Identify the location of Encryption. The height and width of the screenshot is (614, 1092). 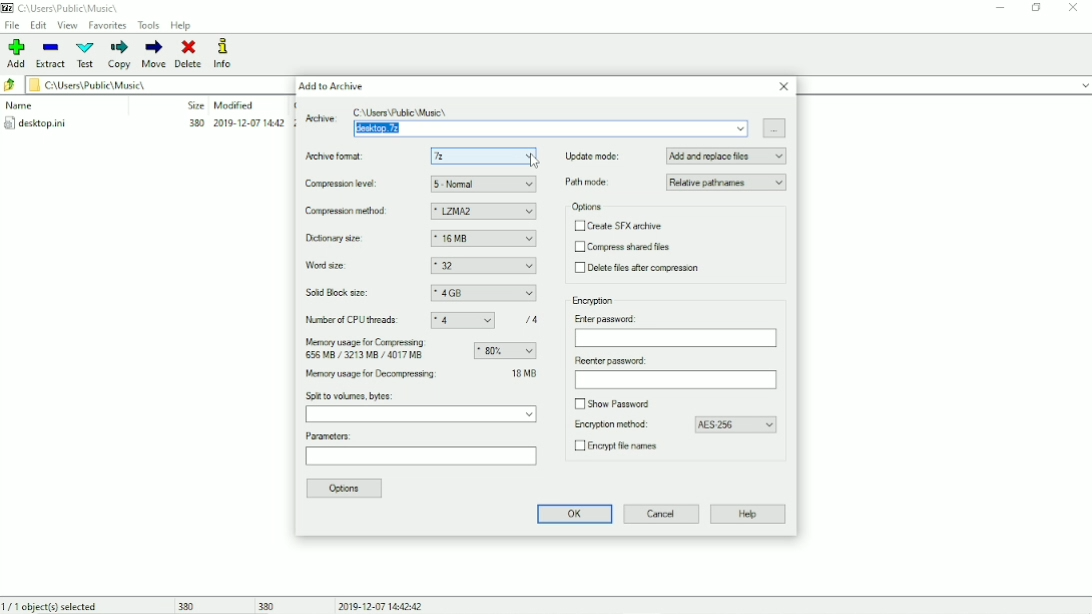
(595, 301).